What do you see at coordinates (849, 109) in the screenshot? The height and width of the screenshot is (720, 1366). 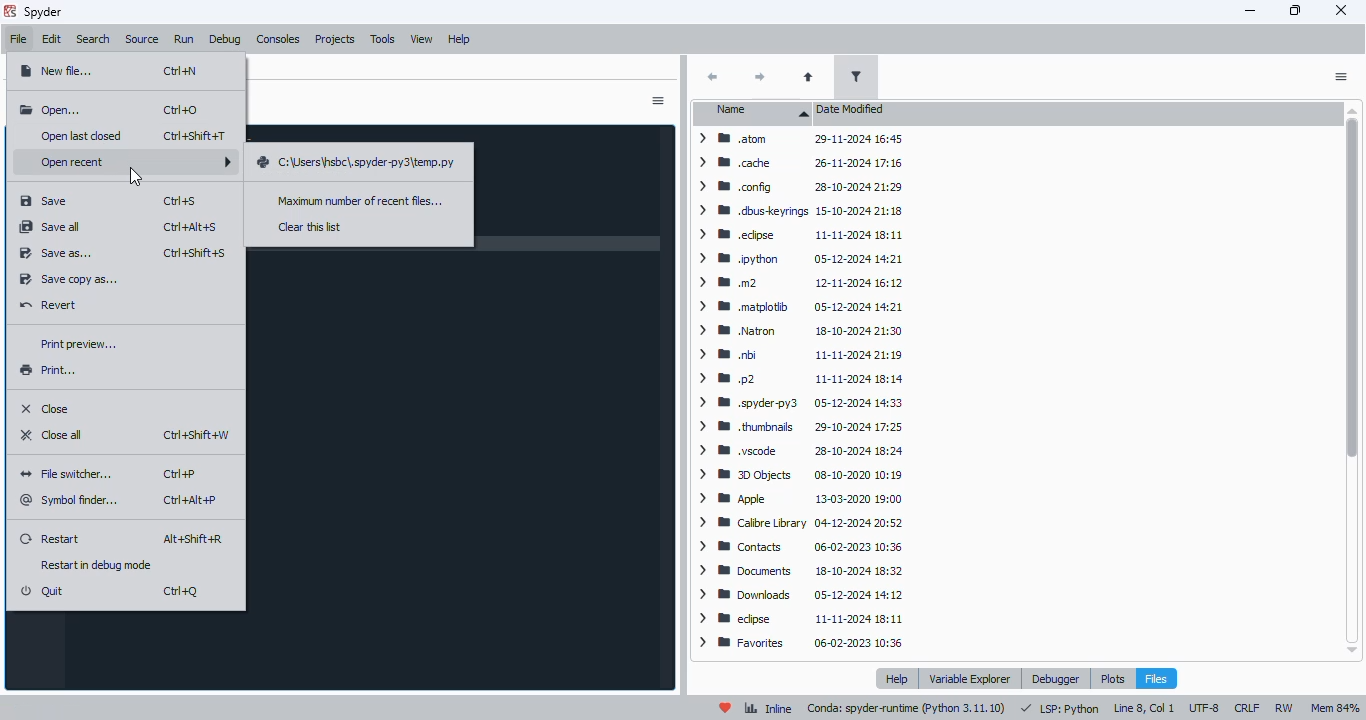 I see `date modified` at bounding box center [849, 109].